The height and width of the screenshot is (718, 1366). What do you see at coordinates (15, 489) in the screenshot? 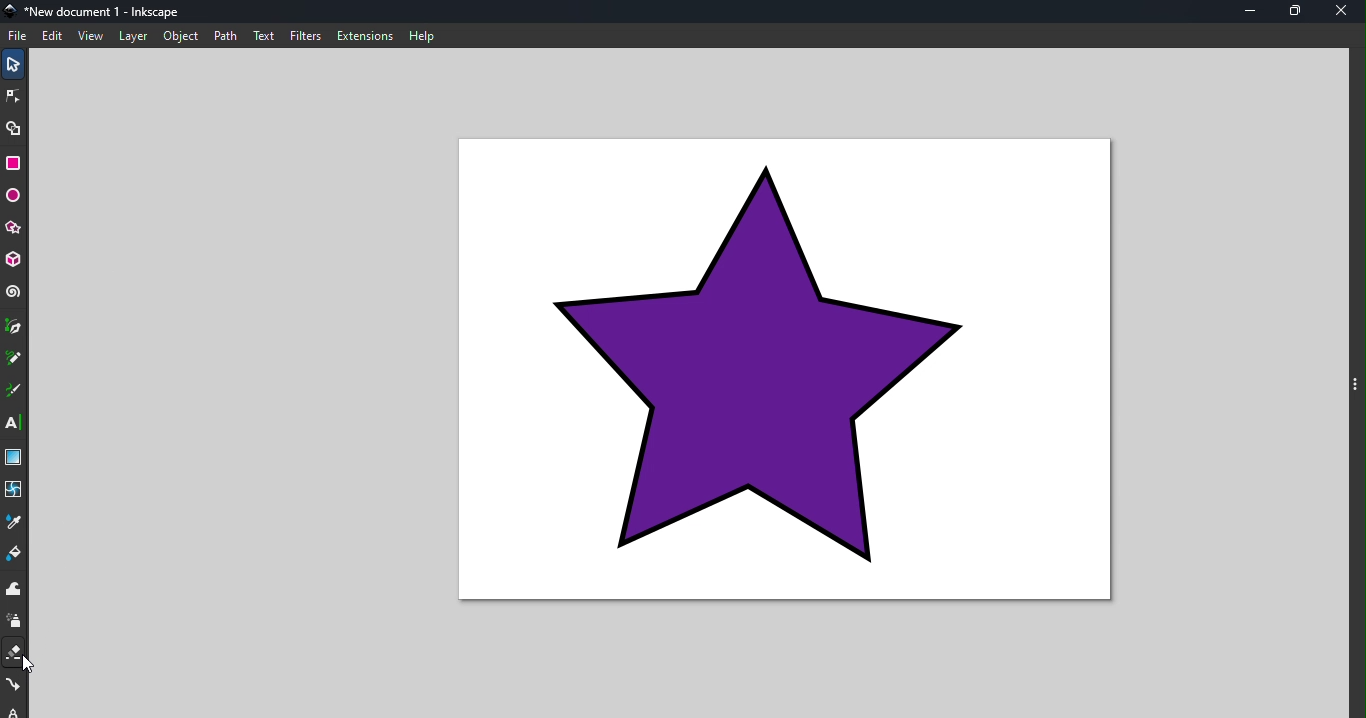
I see `mesh tool` at bounding box center [15, 489].